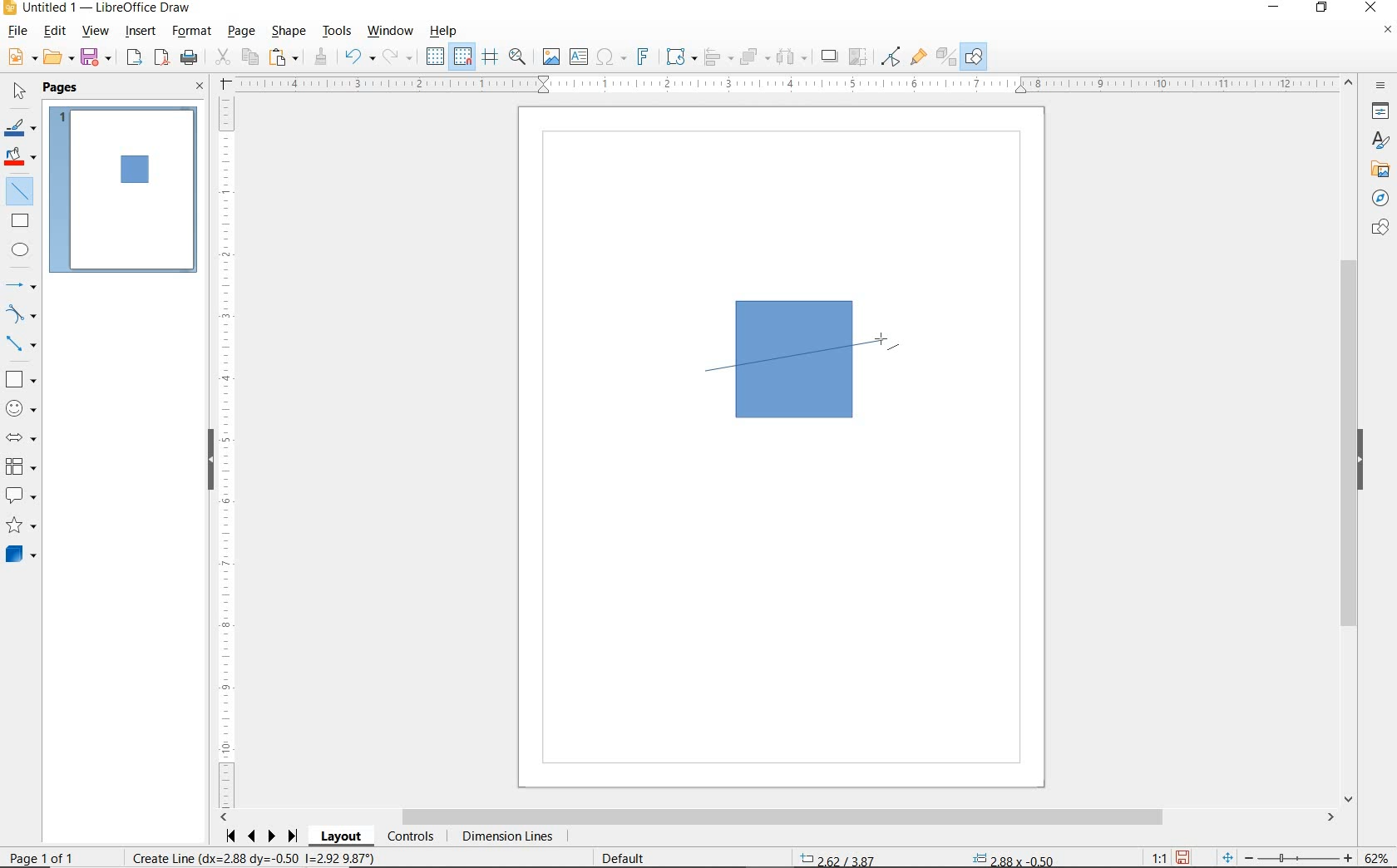 The height and width of the screenshot is (868, 1397). I want to click on RECTANGLE, so click(21, 220).